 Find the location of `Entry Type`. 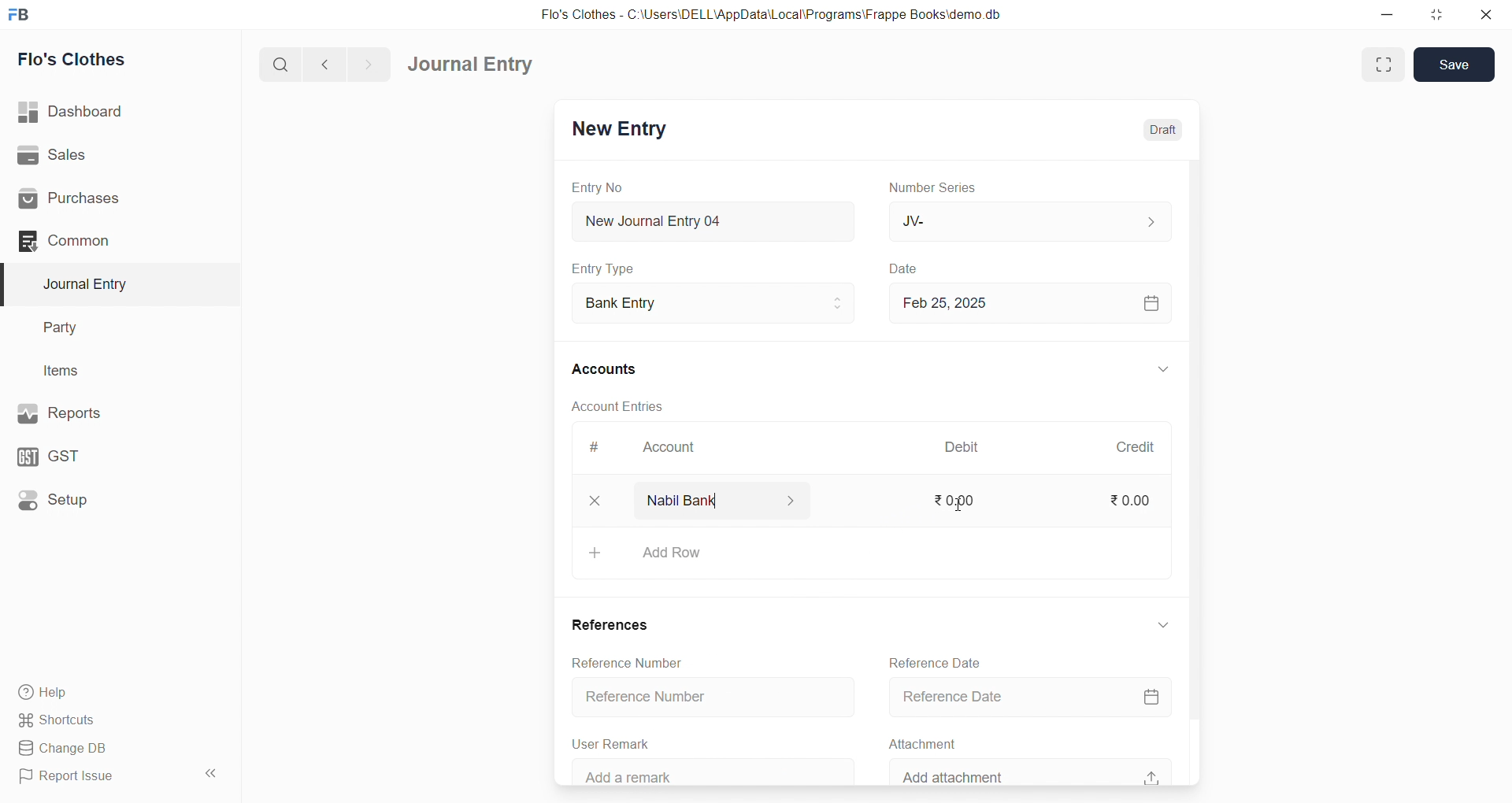

Entry Type is located at coordinates (603, 268).